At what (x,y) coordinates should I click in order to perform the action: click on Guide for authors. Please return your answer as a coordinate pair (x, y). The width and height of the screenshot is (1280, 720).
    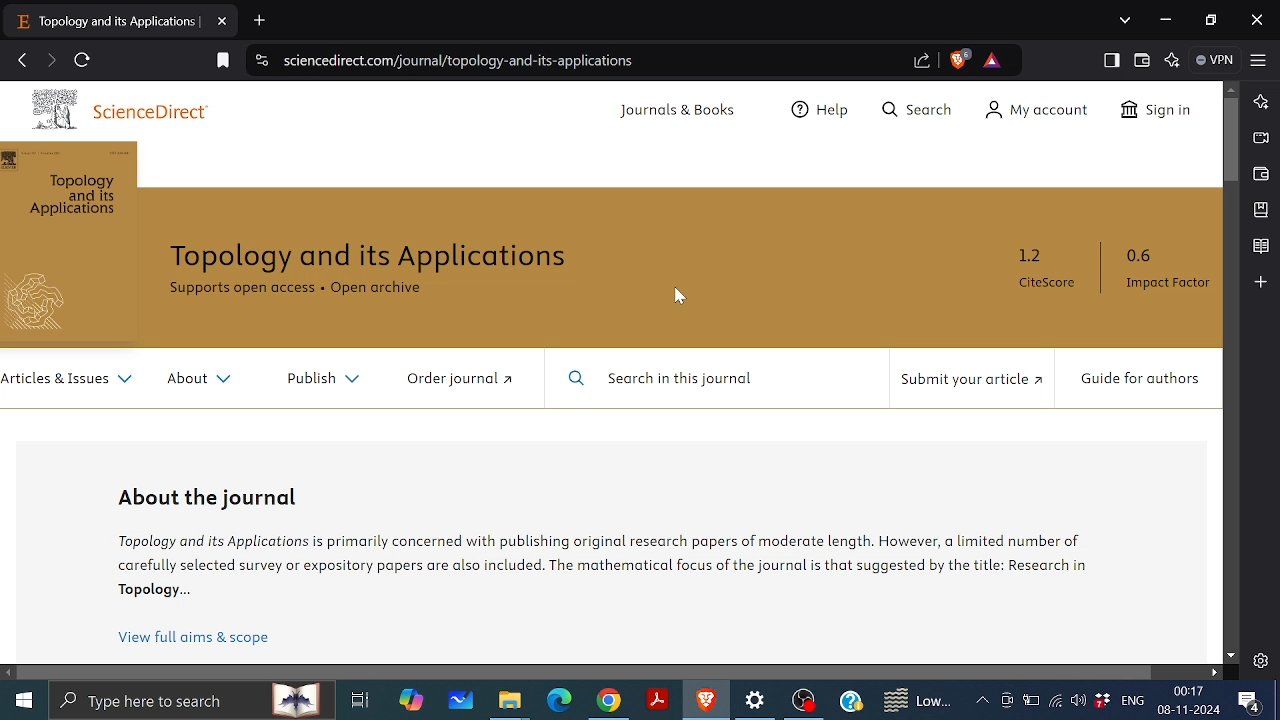
    Looking at the image, I should click on (1147, 382).